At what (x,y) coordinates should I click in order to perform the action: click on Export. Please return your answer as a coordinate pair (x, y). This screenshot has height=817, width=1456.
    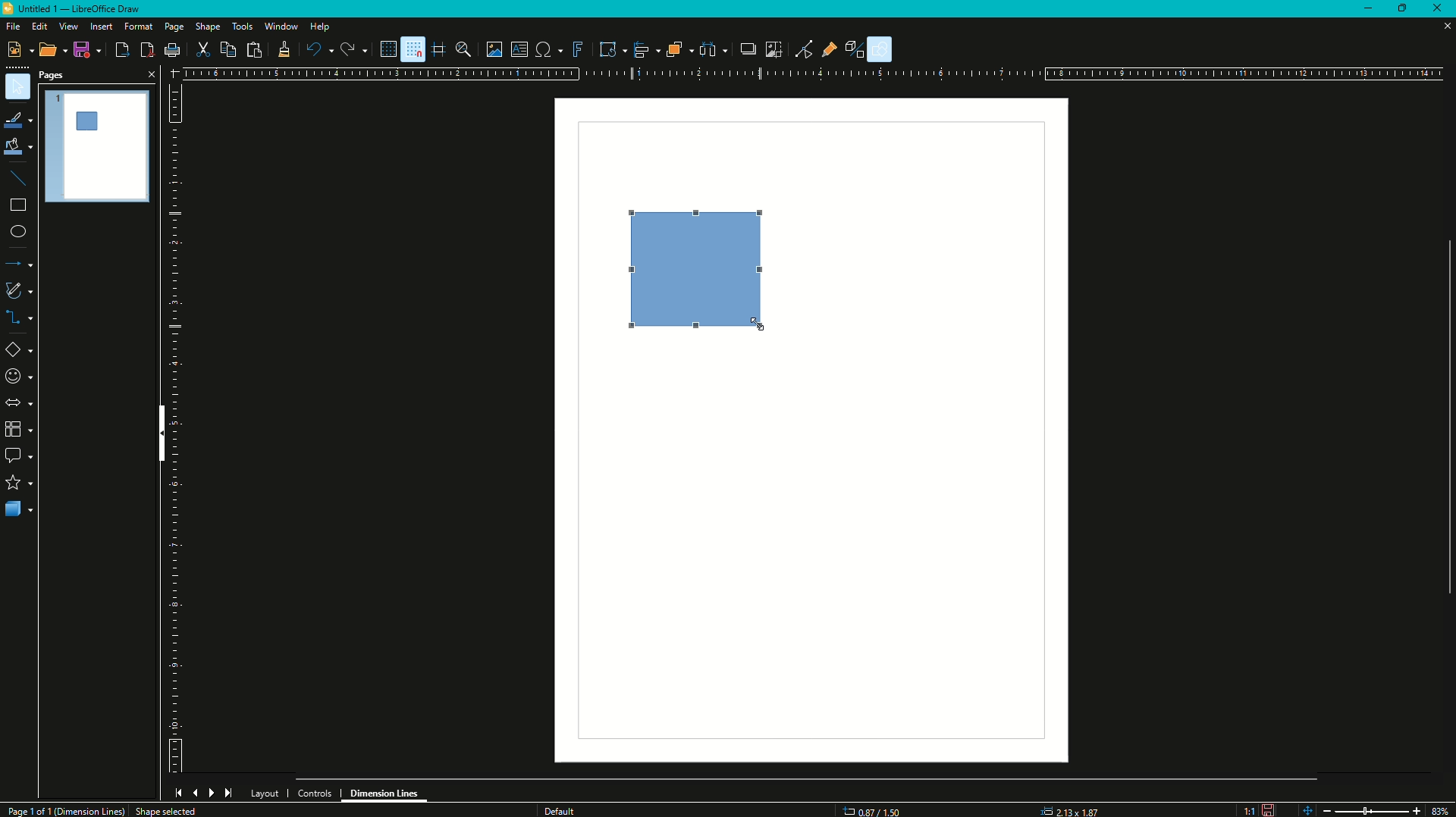
    Looking at the image, I should click on (121, 50).